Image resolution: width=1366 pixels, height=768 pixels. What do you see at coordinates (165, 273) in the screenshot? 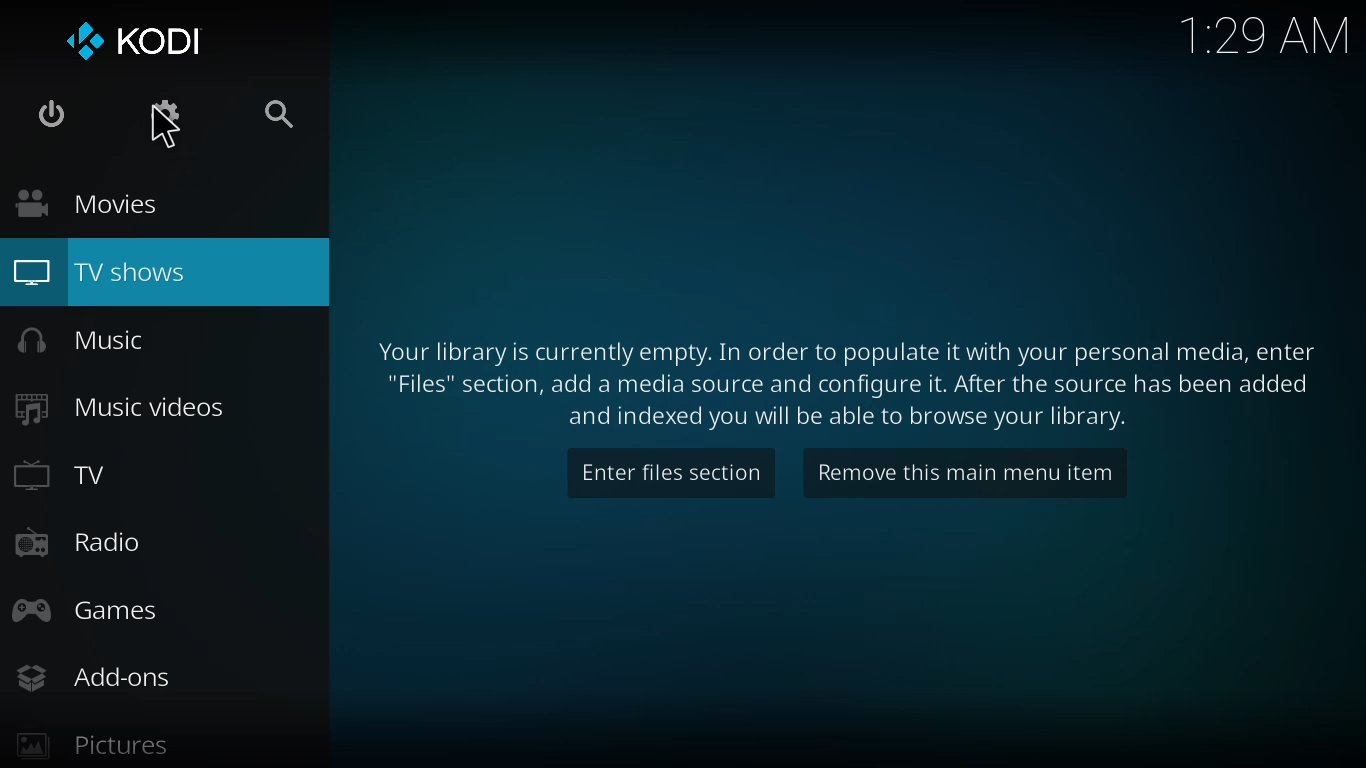
I see `tv shows` at bounding box center [165, 273].